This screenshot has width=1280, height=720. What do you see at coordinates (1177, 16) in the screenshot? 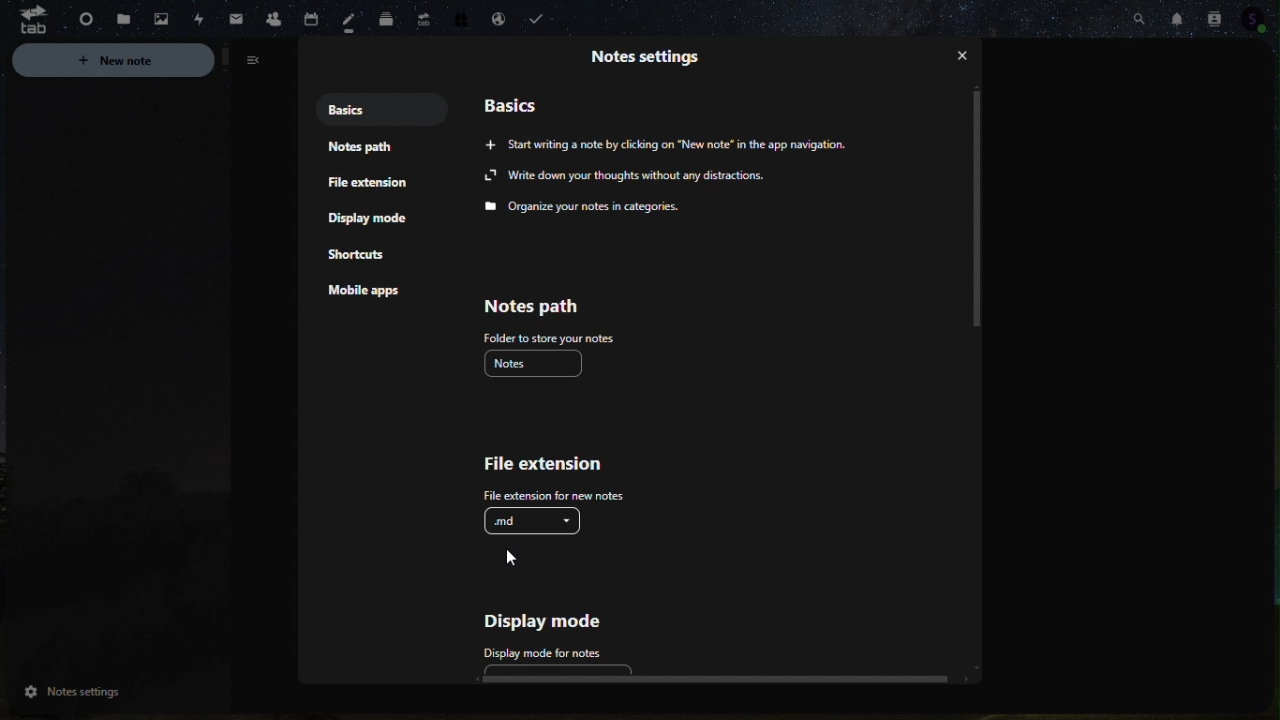
I see `Notifications` at bounding box center [1177, 16].